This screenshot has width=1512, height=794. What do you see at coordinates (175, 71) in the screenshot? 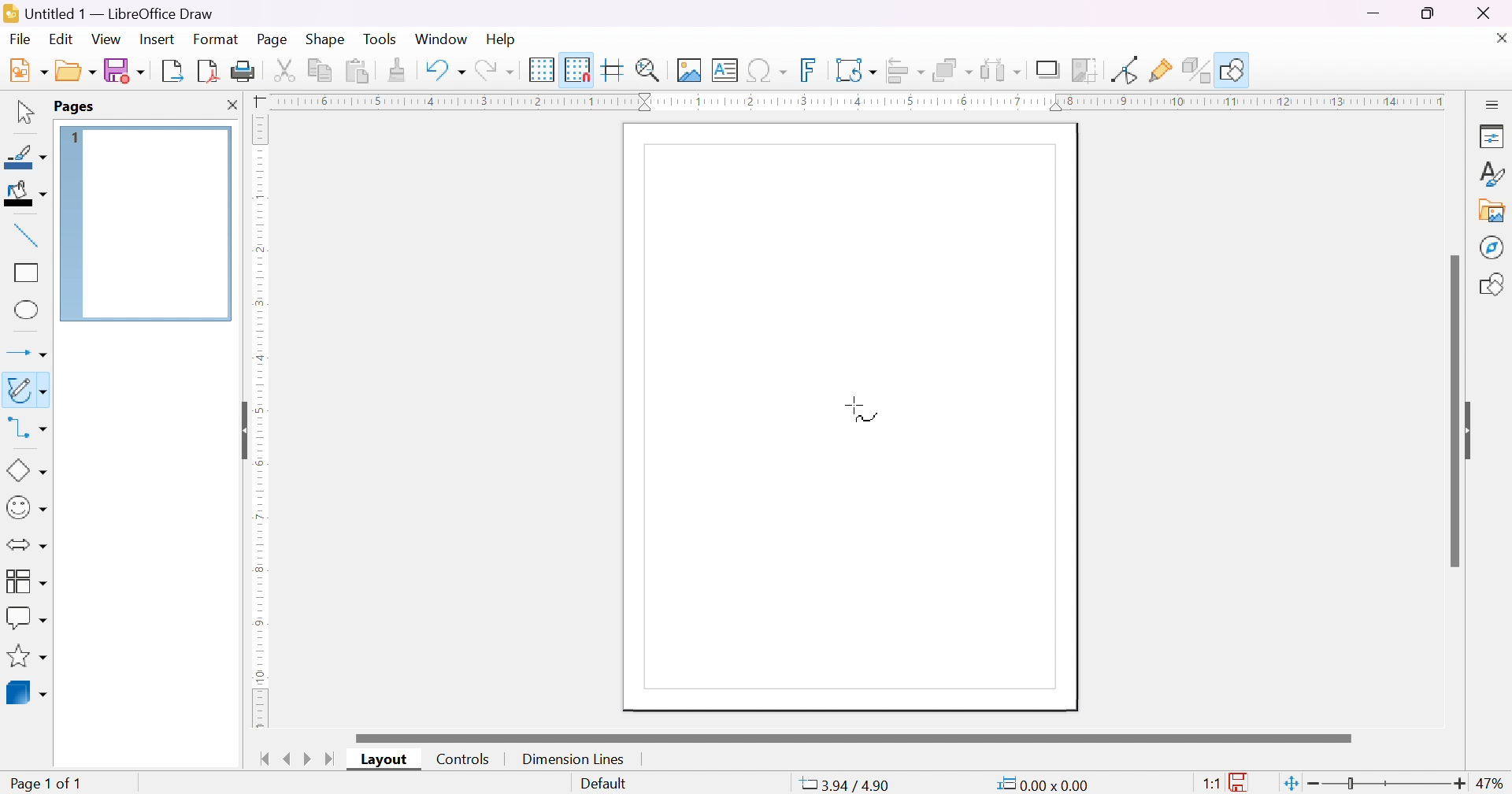
I see `export` at bounding box center [175, 71].